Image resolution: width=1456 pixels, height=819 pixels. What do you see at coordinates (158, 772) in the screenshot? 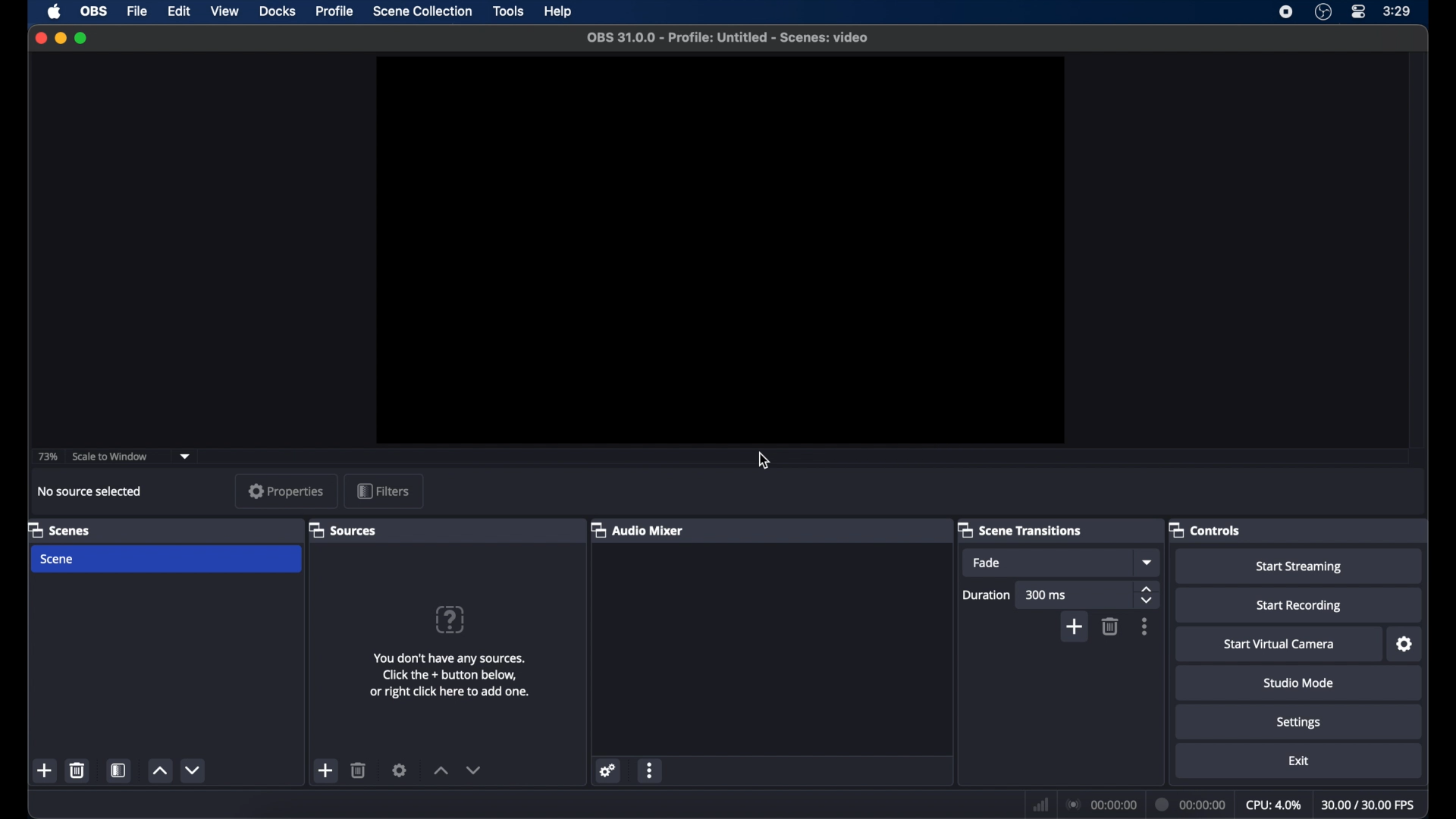
I see `increment` at bounding box center [158, 772].